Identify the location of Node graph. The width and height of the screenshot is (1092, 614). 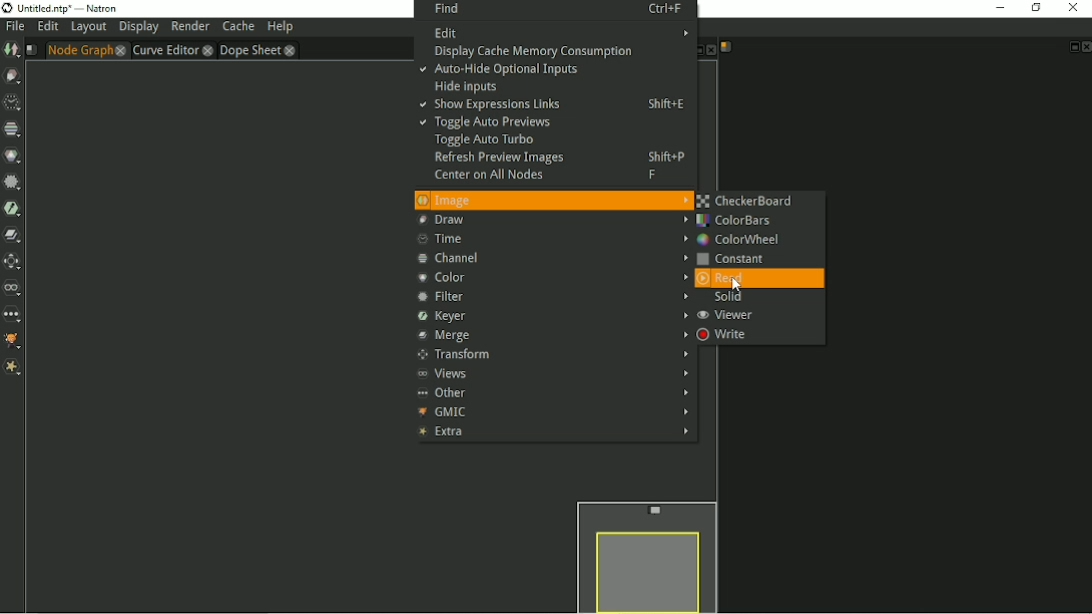
(86, 50).